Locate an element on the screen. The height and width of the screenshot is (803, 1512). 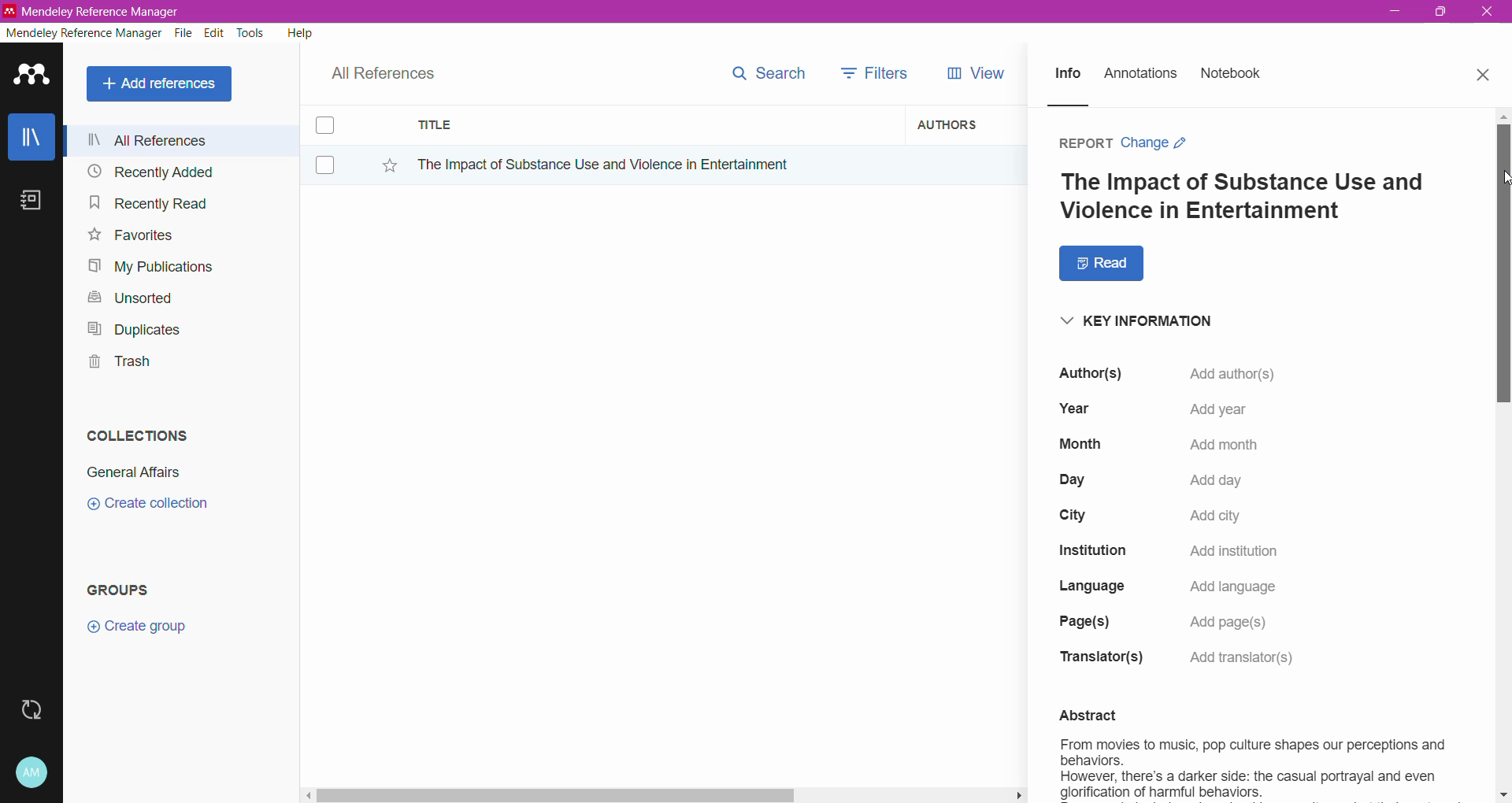
File is located at coordinates (183, 34).